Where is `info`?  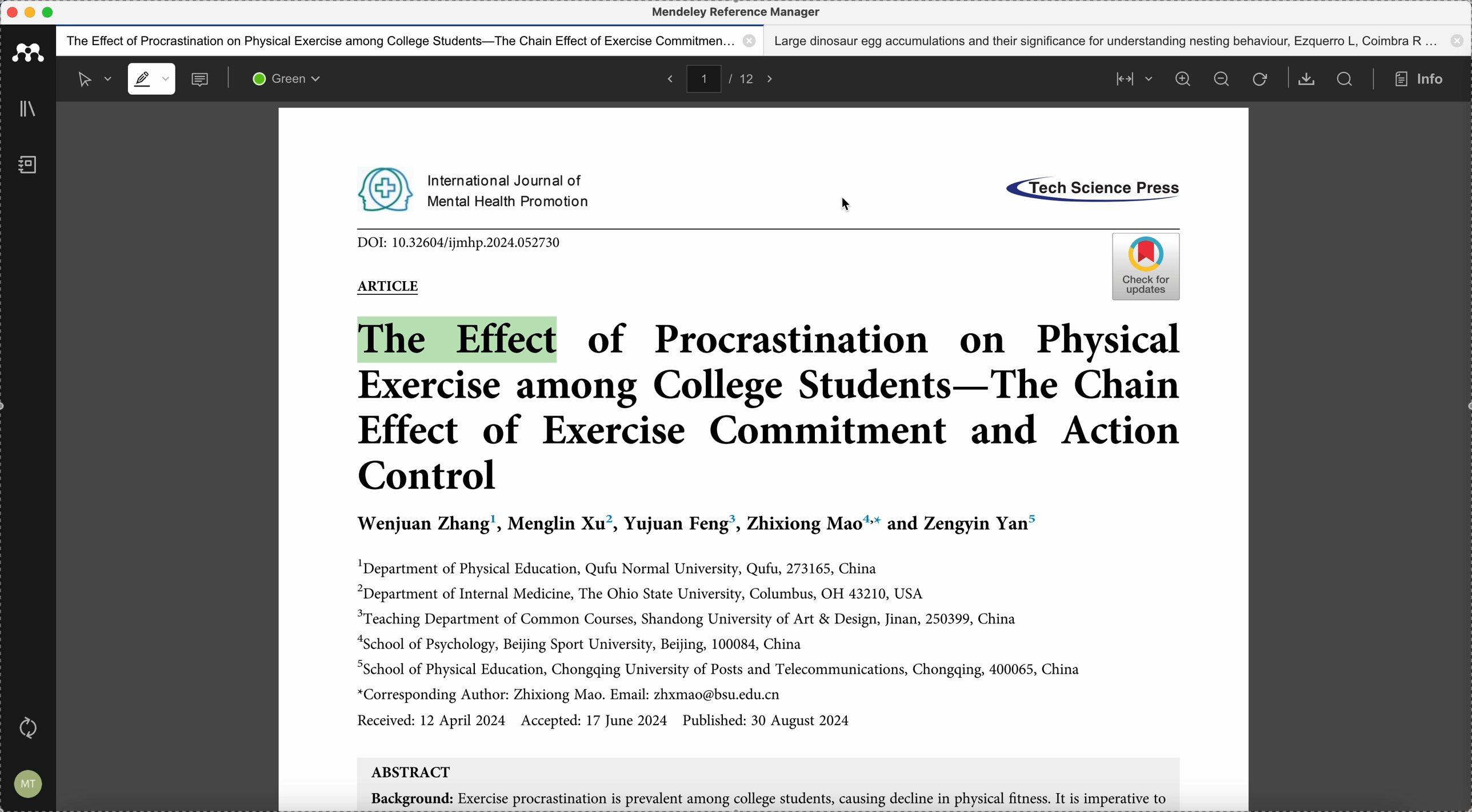 info is located at coordinates (1423, 79).